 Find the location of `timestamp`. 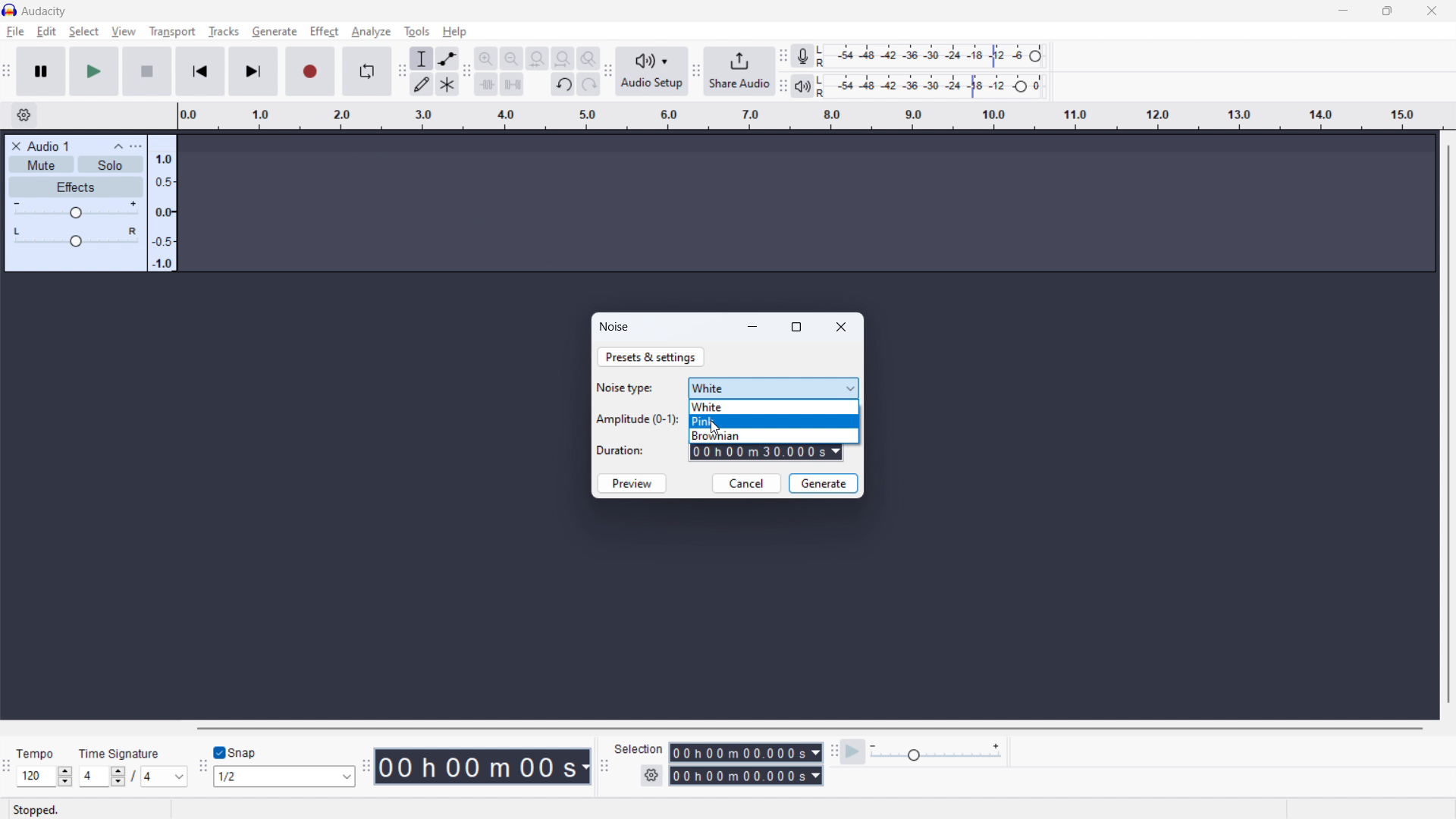

timestamp is located at coordinates (485, 767).